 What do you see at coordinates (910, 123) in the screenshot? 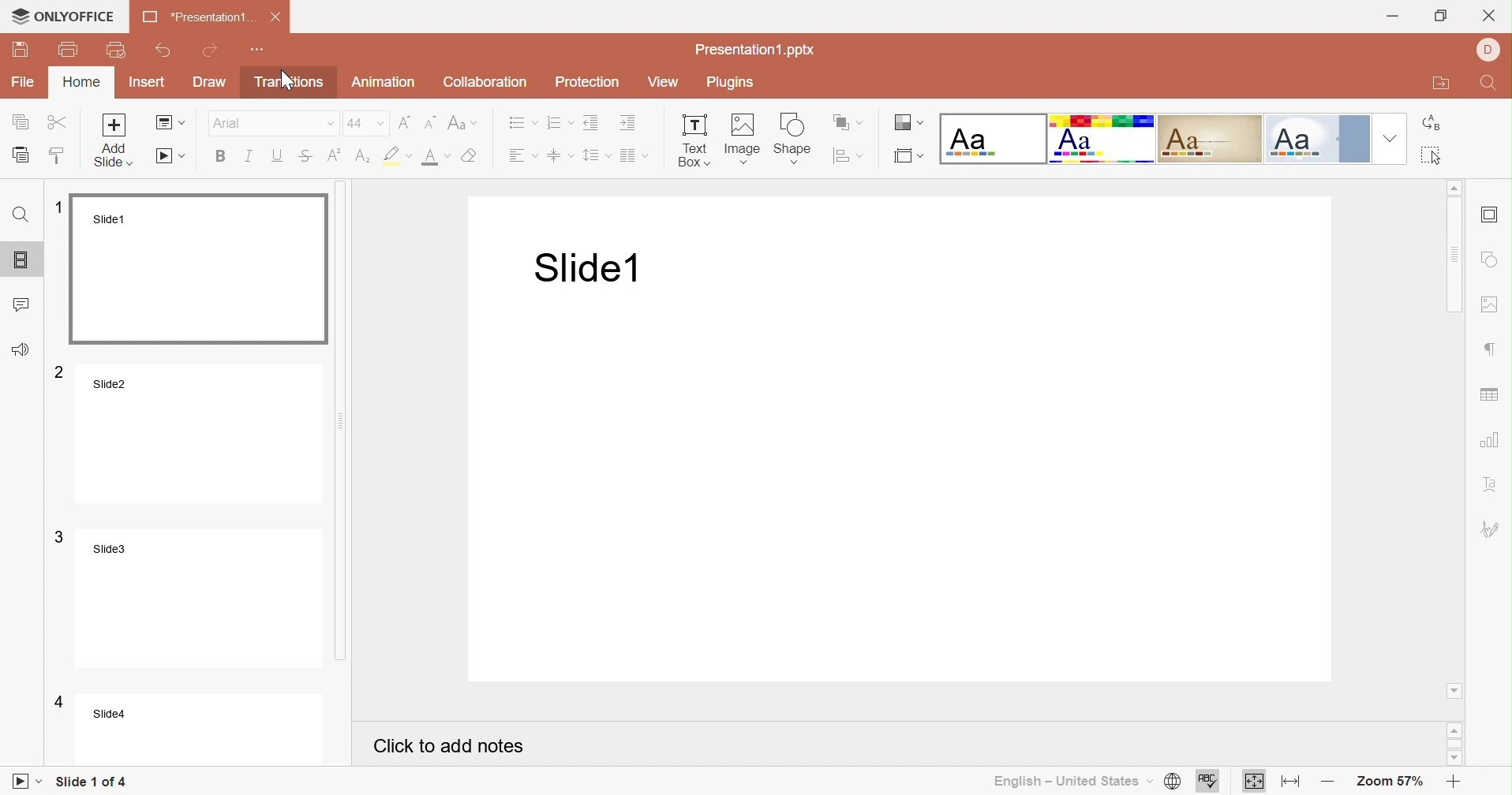
I see `Change color theme` at bounding box center [910, 123].